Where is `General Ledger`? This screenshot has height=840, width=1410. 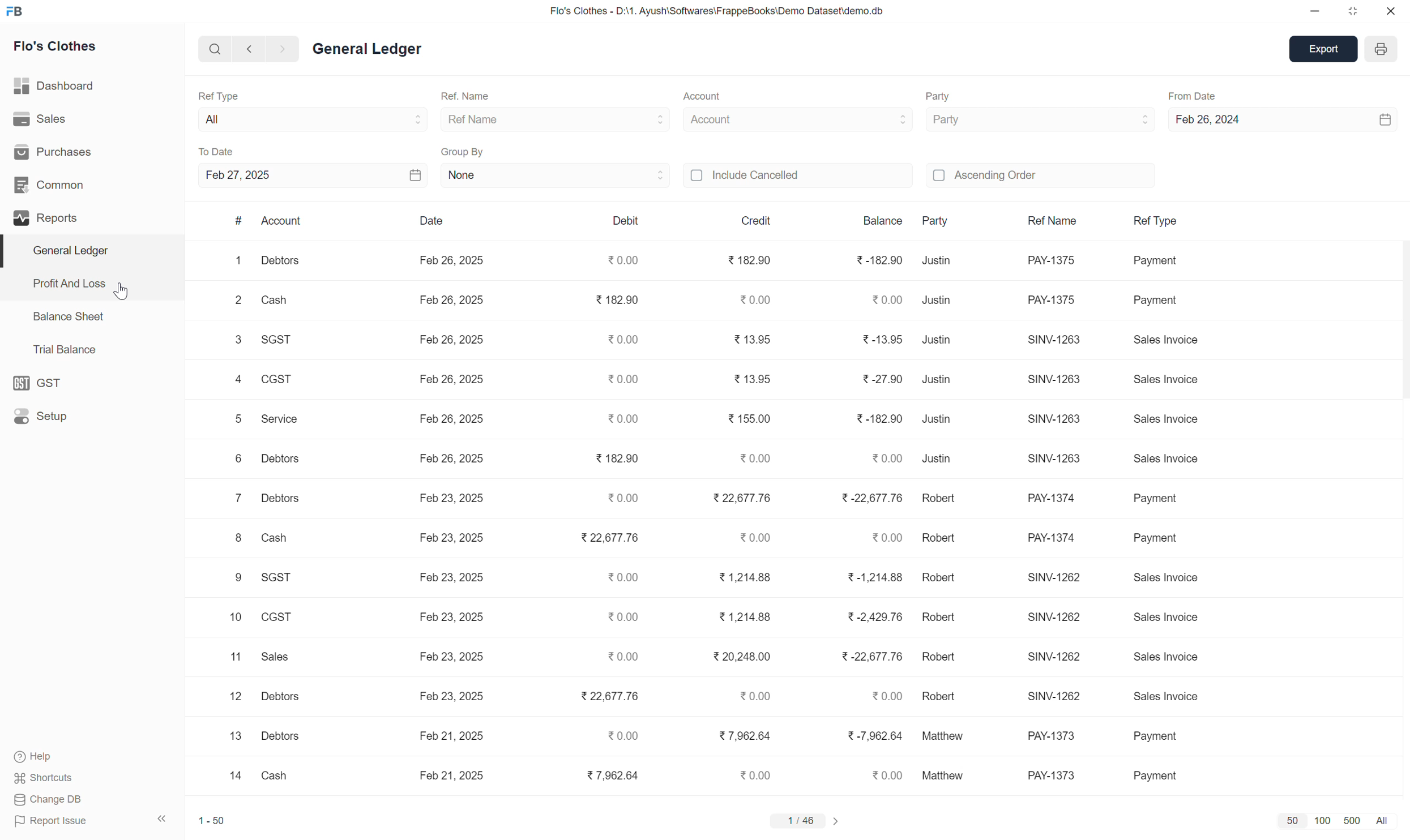
General Ledger is located at coordinates (73, 252).